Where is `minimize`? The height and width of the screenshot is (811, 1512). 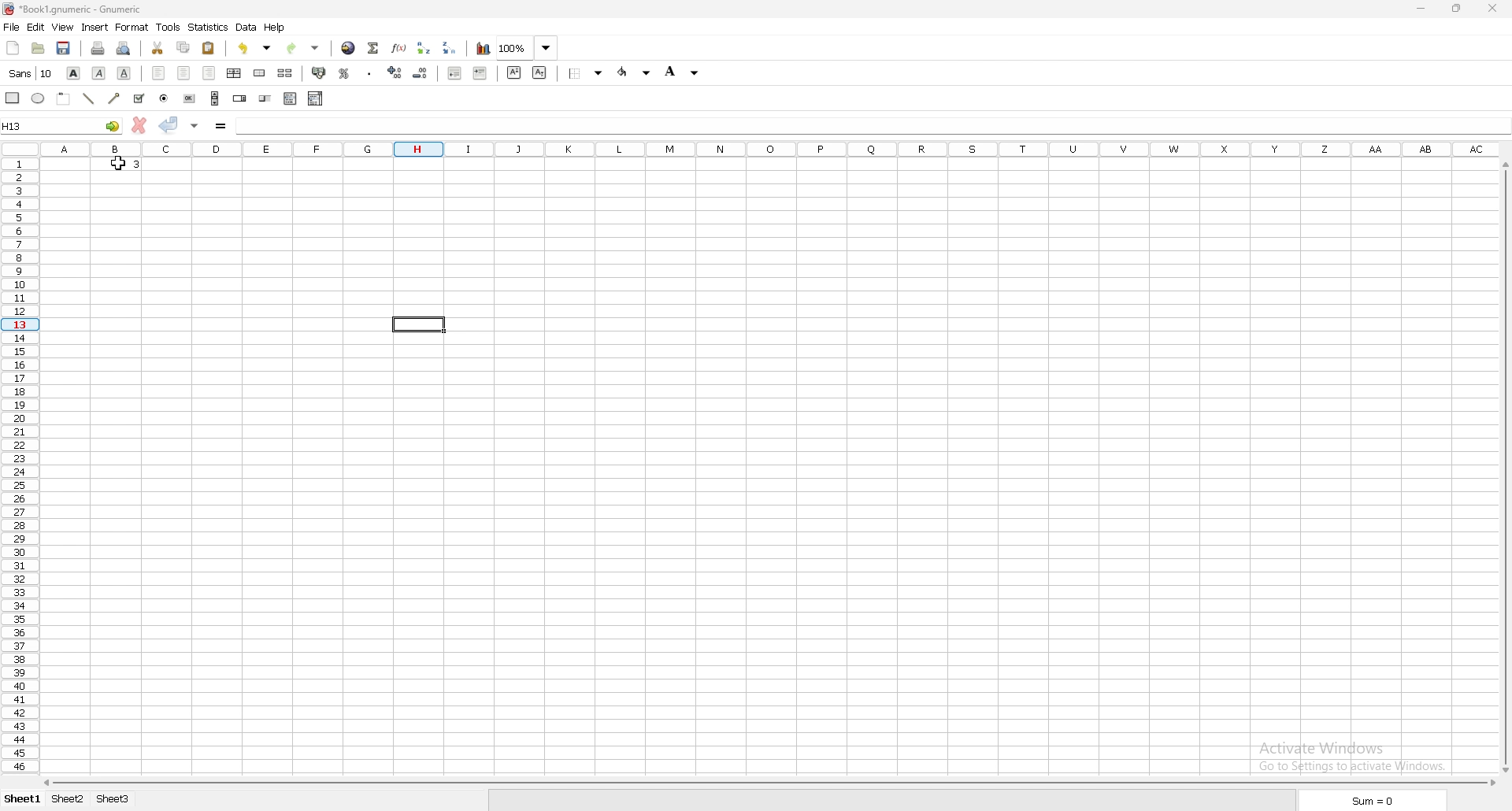
minimize is located at coordinates (1421, 8).